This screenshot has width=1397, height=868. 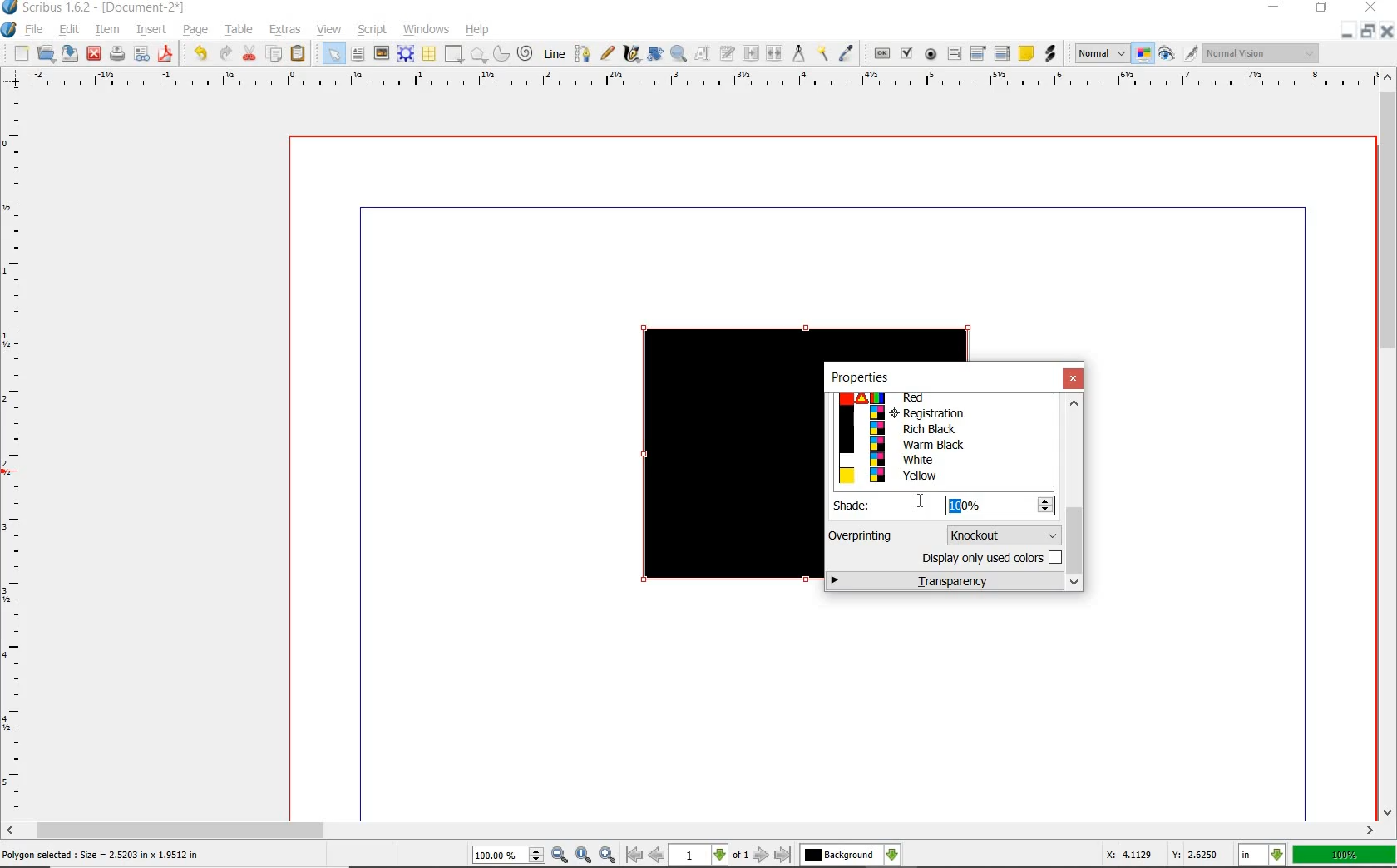 What do you see at coordinates (1026, 53) in the screenshot?
I see `text annotation` at bounding box center [1026, 53].